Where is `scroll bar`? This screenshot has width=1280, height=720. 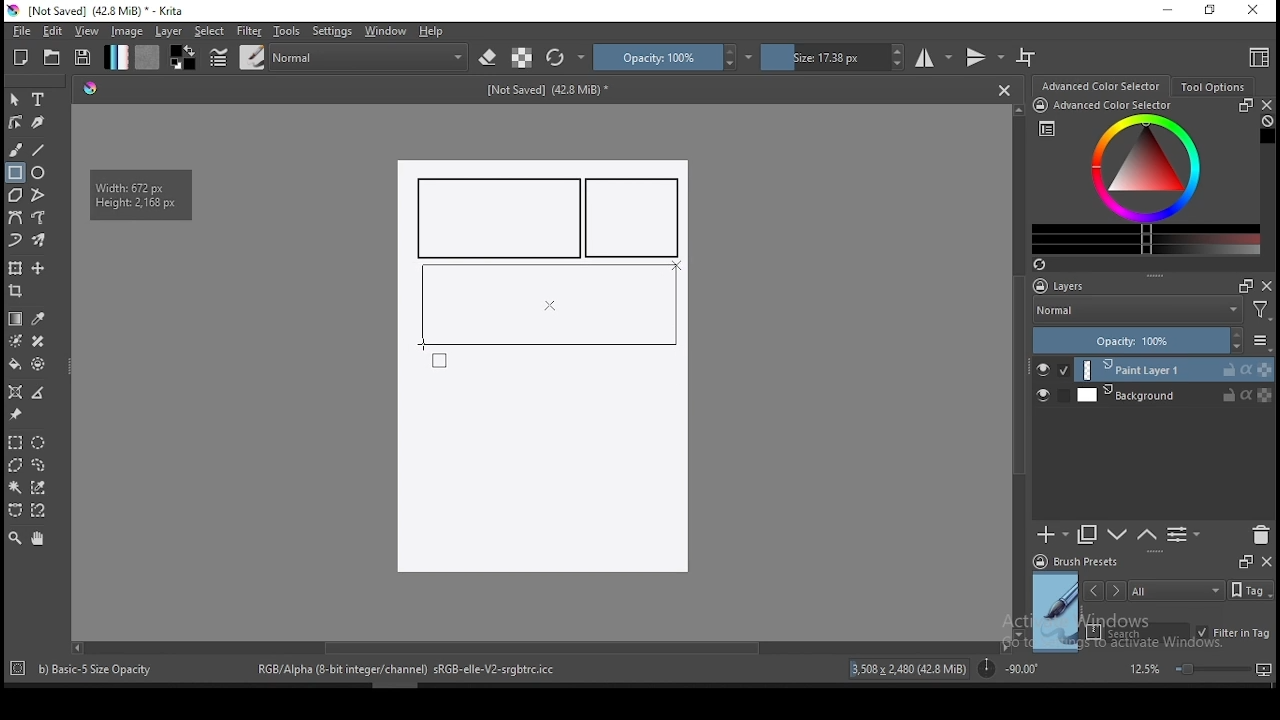 scroll bar is located at coordinates (1020, 370).